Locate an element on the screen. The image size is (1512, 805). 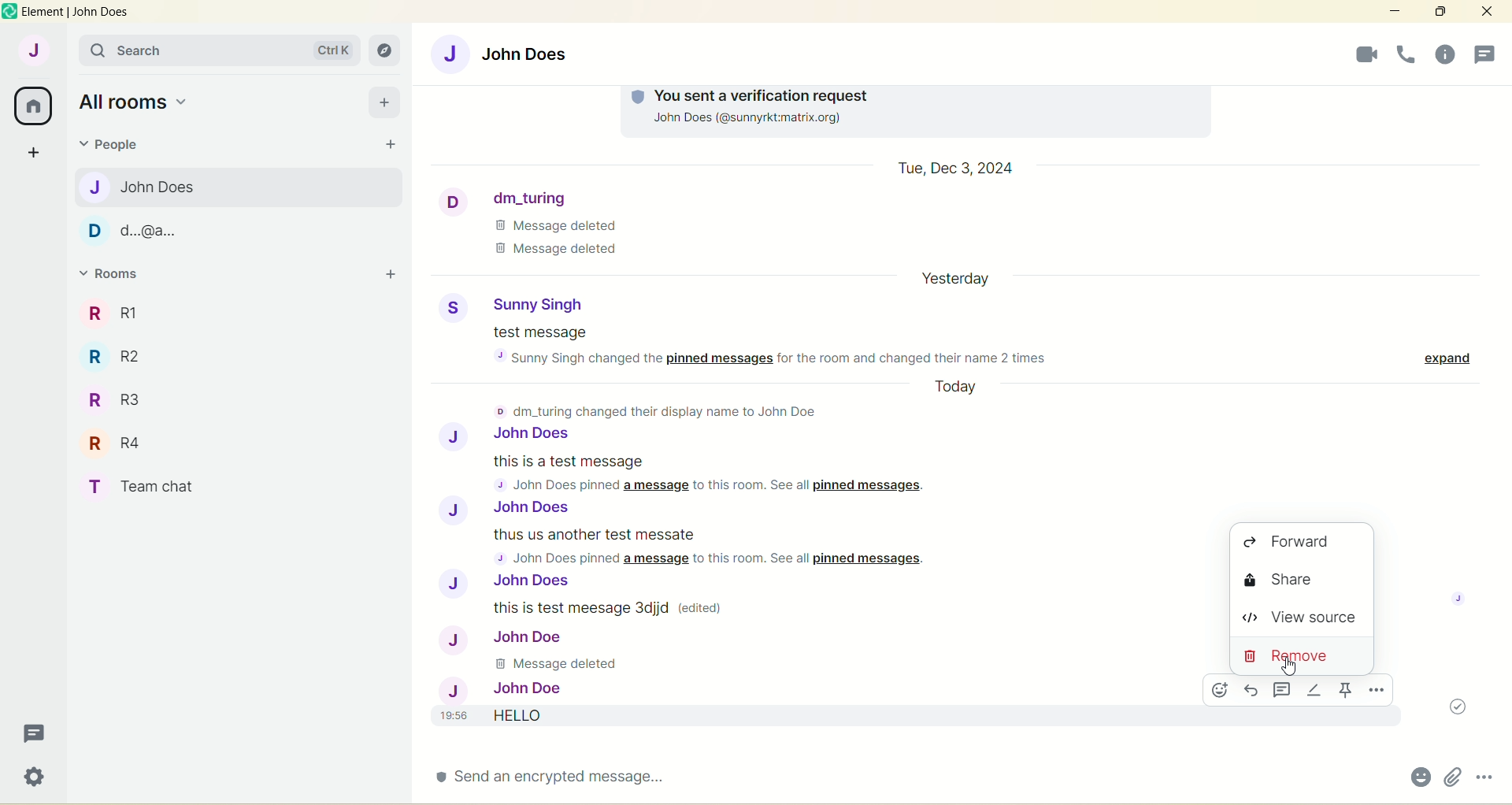
view source is located at coordinates (1306, 618).